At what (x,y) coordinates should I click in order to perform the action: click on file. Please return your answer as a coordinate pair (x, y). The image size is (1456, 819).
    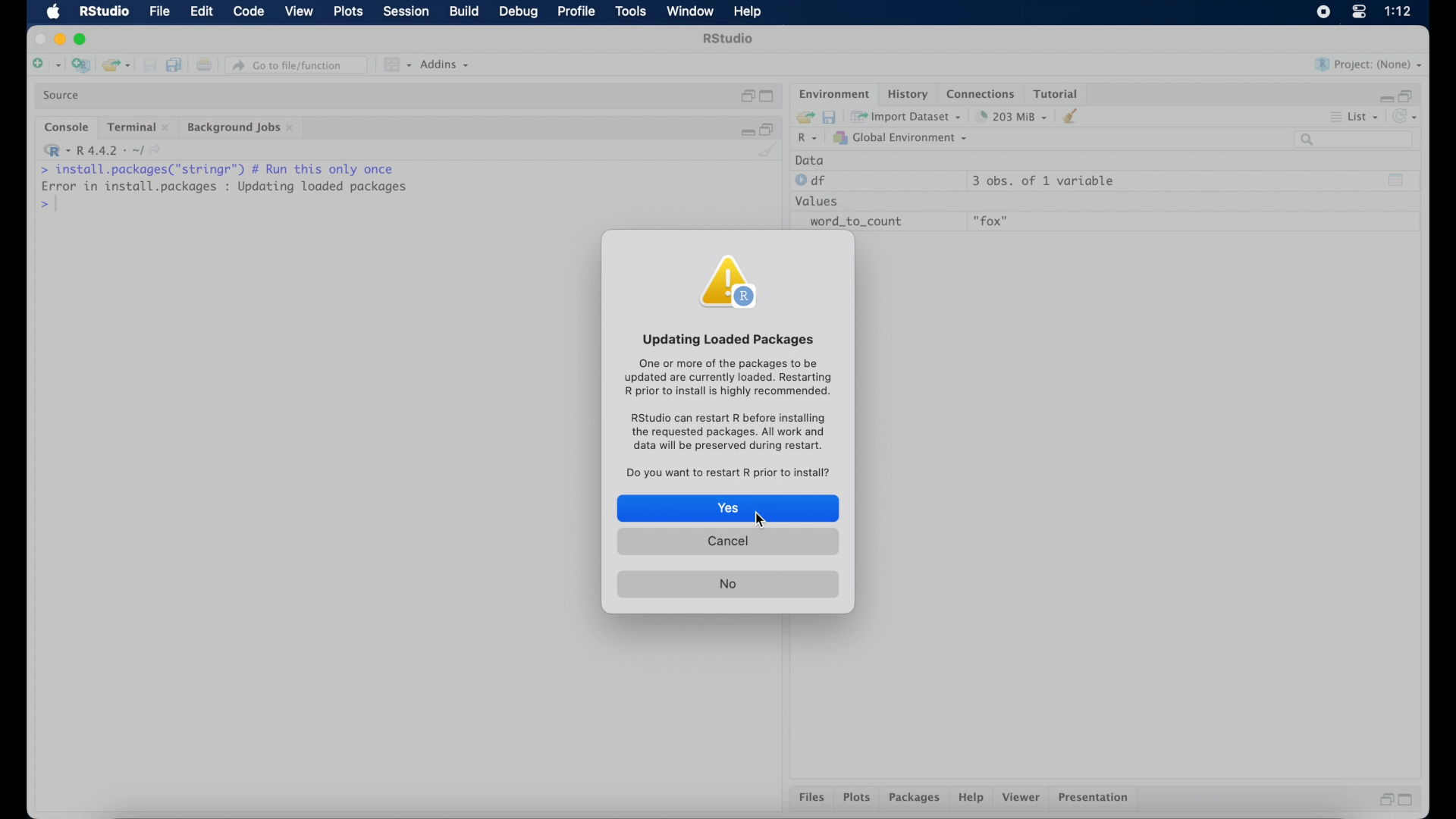
    Looking at the image, I should click on (161, 12).